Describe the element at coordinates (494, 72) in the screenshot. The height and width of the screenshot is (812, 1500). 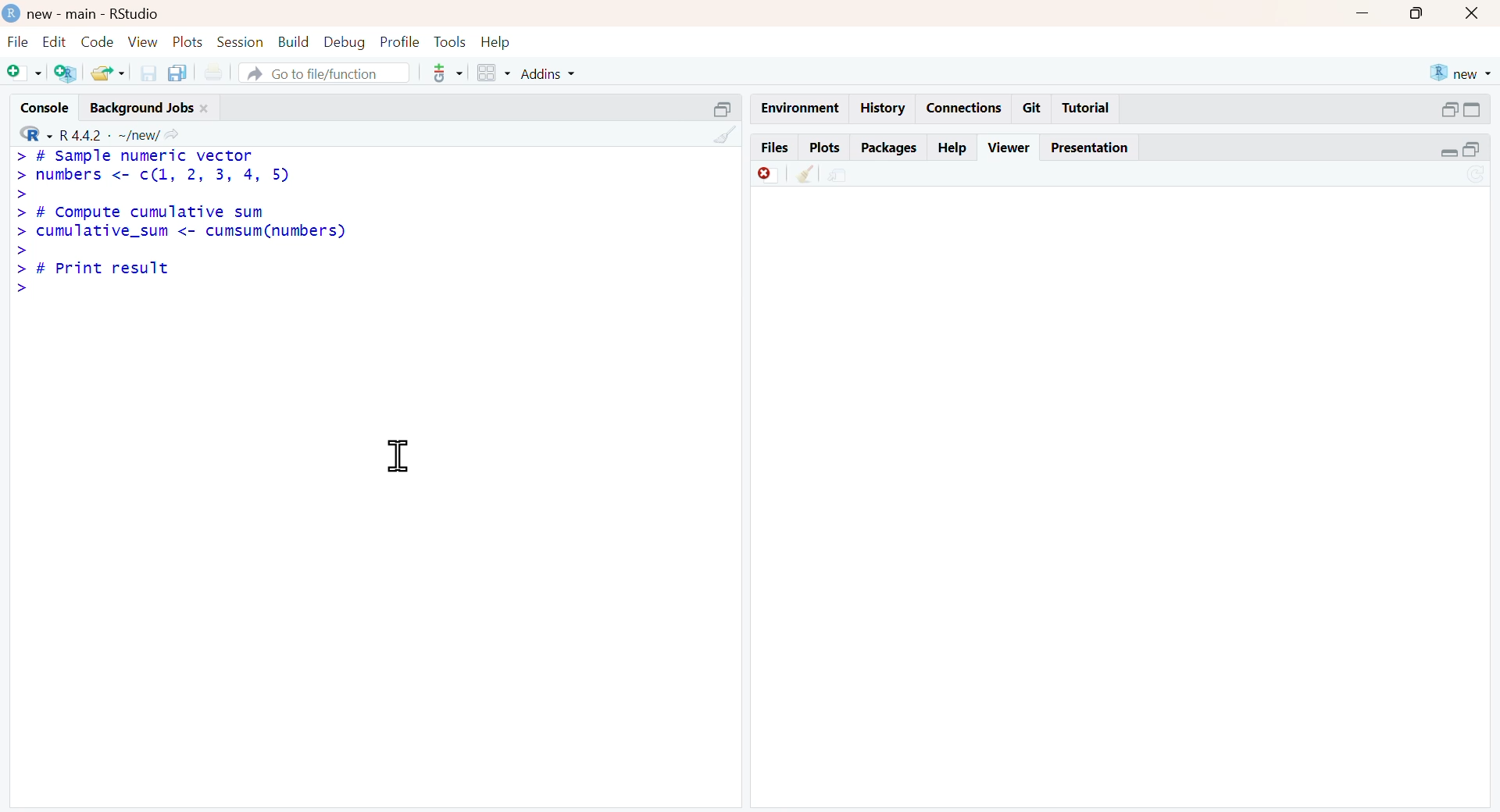
I see `grid` at that location.